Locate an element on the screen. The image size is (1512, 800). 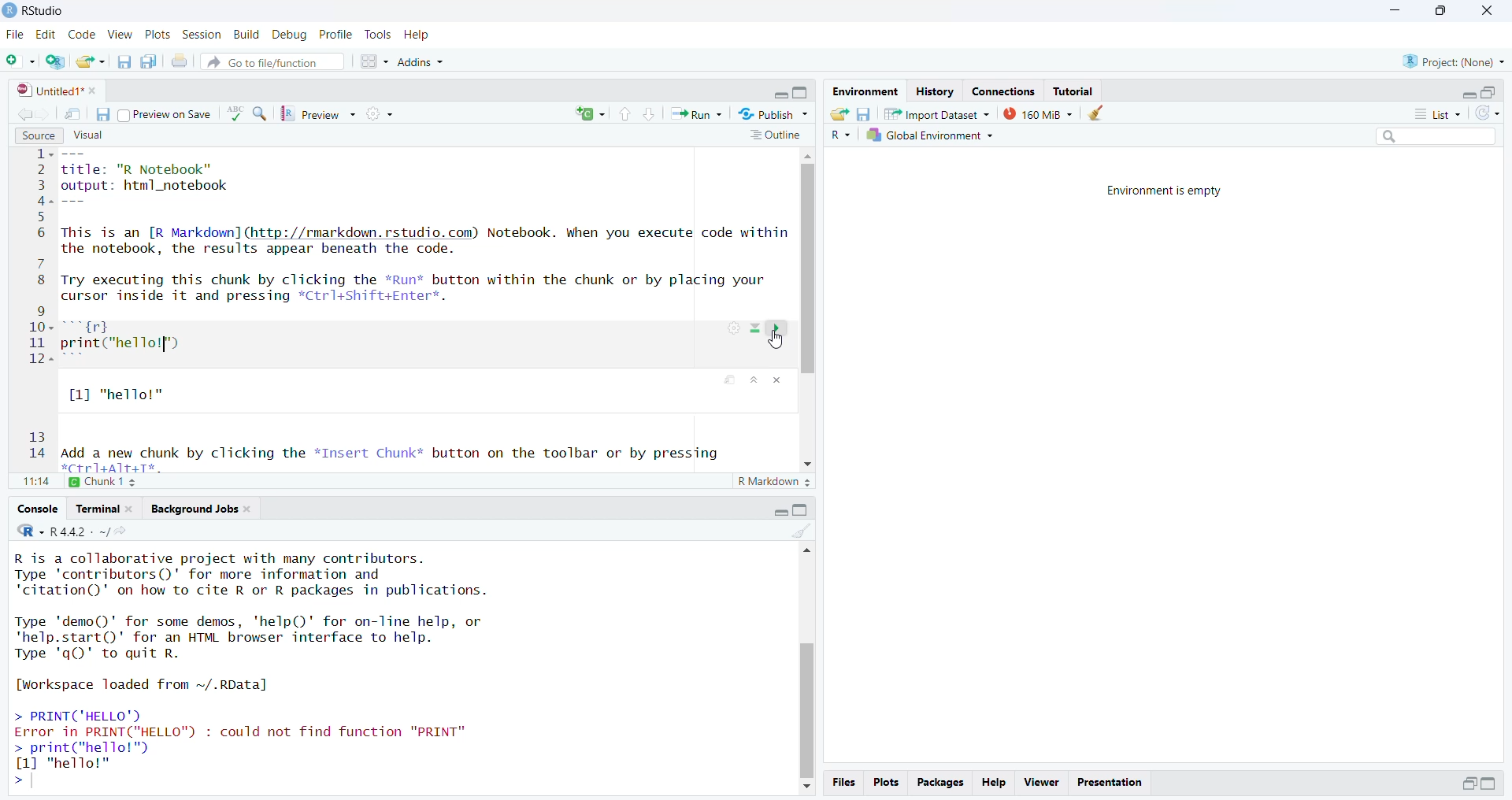
compile report is located at coordinates (382, 113).